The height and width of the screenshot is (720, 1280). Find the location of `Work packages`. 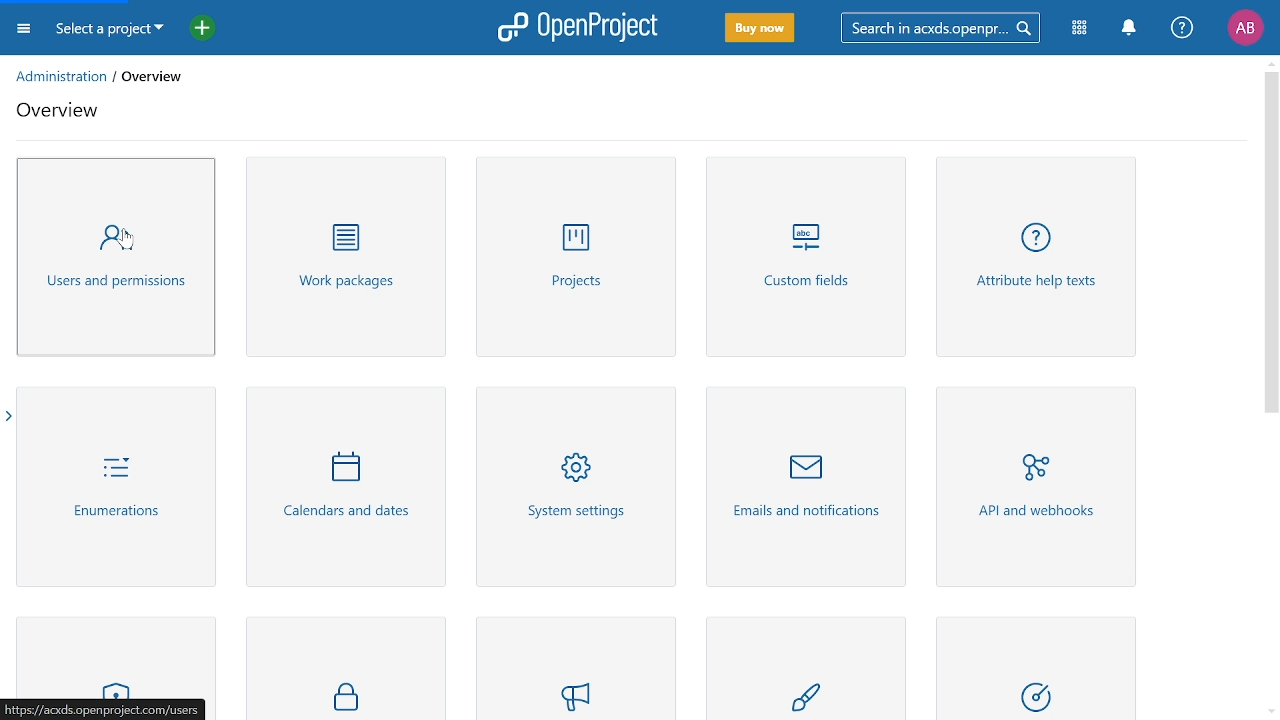

Work packages is located at coordinates (342, 257).